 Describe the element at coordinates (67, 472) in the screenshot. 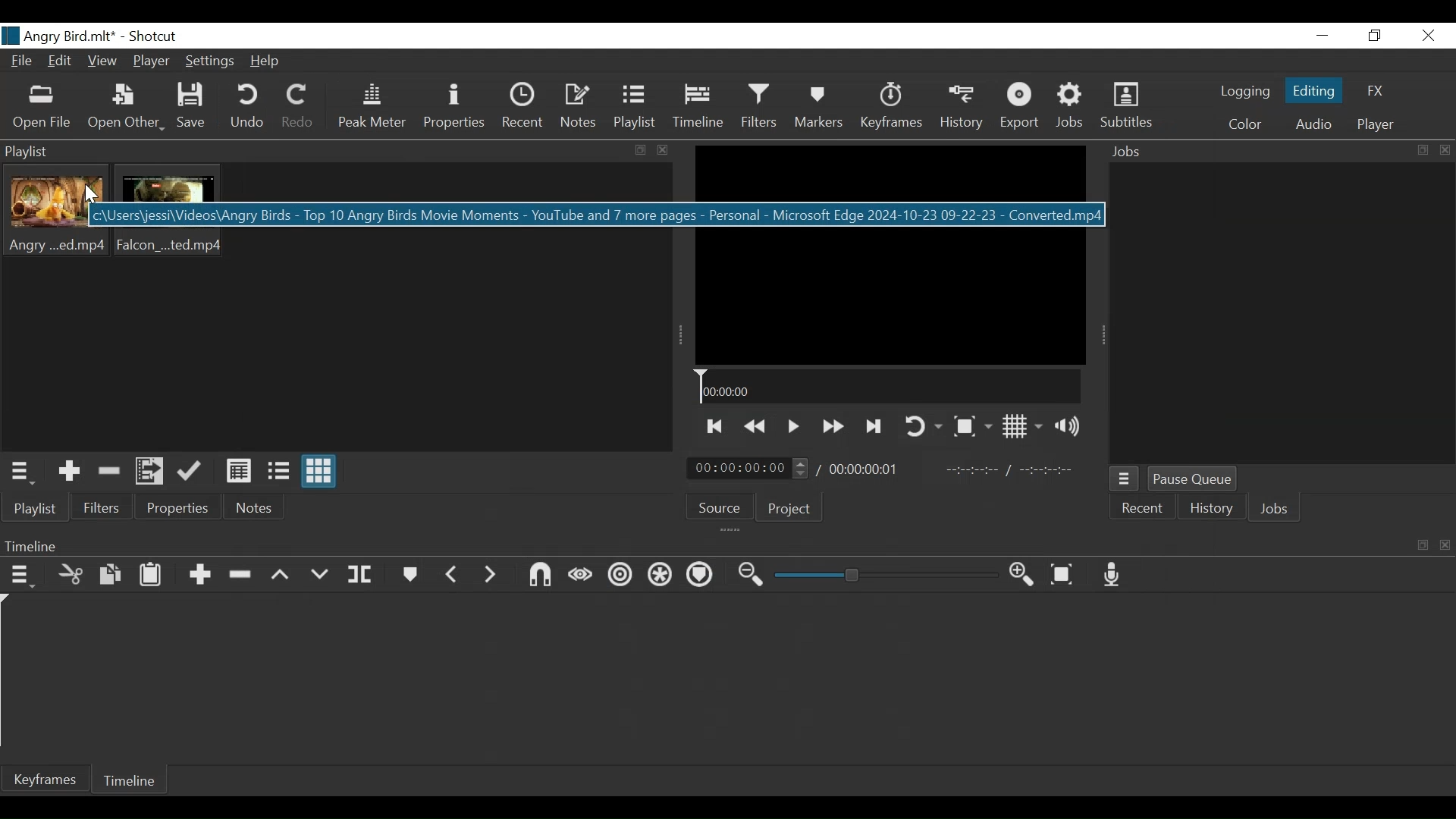

I see `Add the Source to the playlist` at that location.